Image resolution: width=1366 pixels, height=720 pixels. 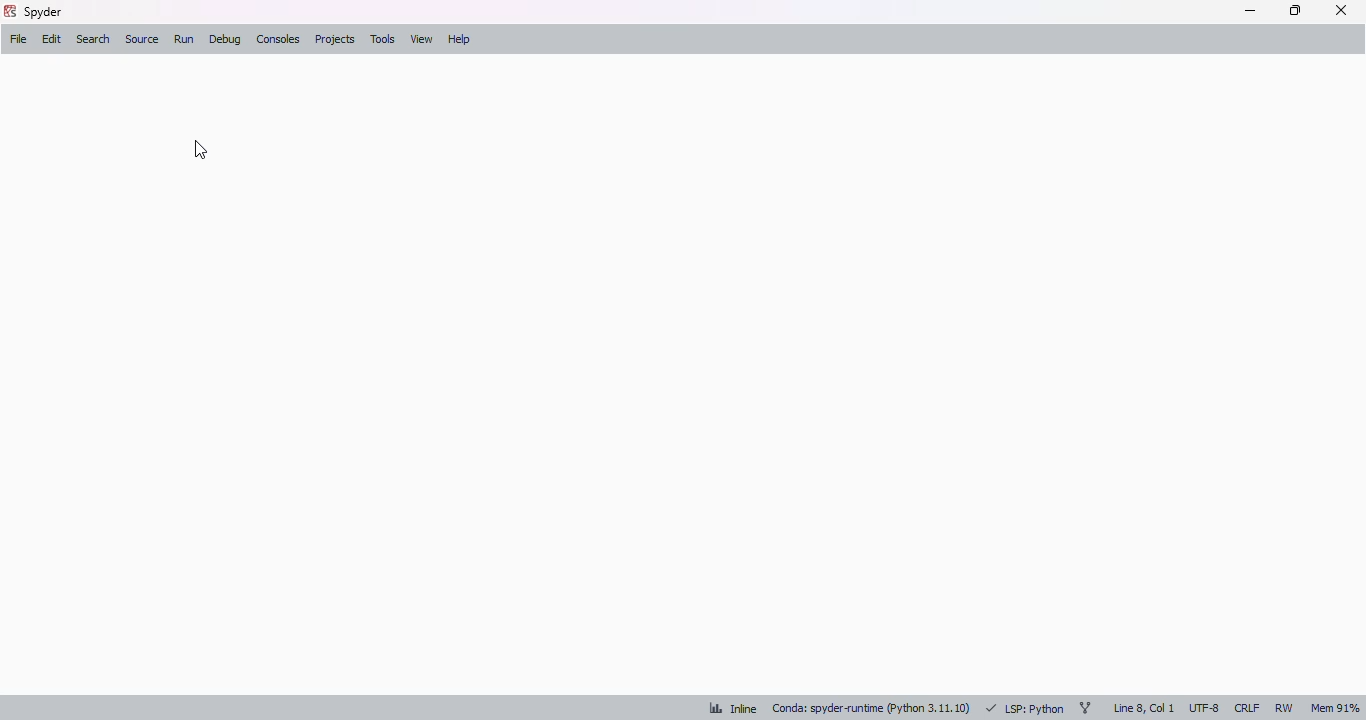 I want to click on source, so click(x=143, y=39).